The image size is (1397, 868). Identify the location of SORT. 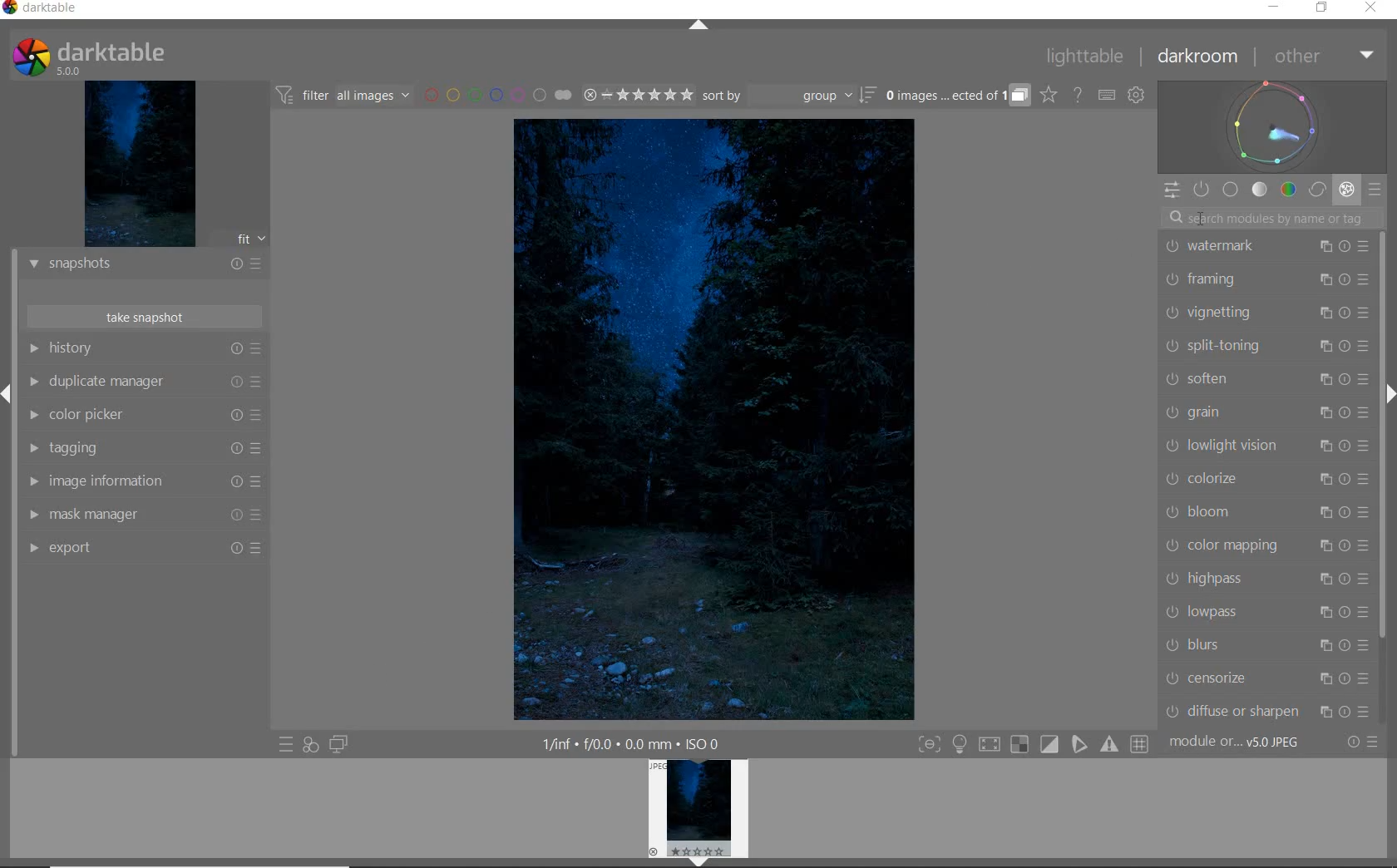
(789, 96).